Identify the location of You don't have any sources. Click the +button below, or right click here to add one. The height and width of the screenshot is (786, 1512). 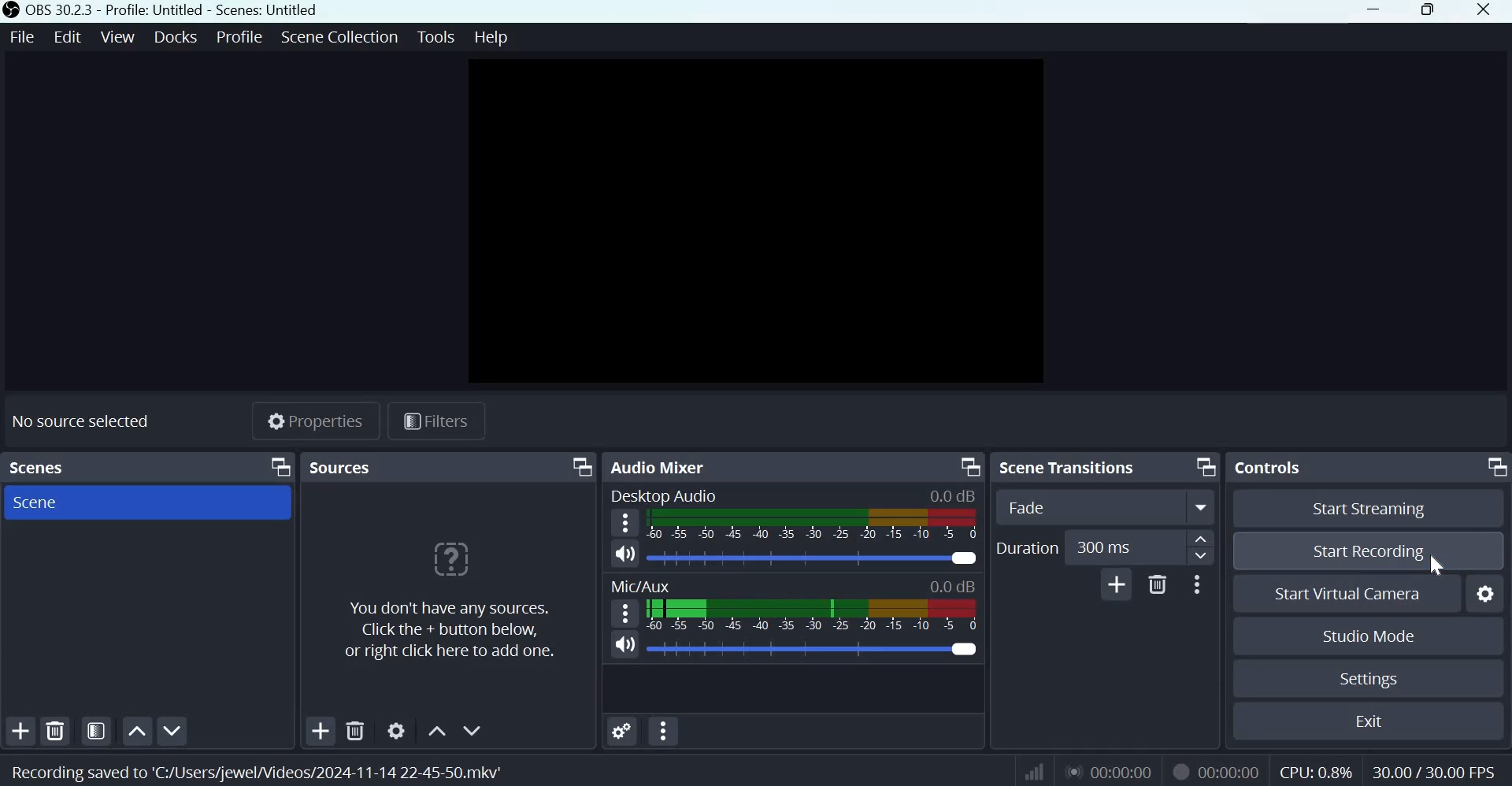
(446, 604).